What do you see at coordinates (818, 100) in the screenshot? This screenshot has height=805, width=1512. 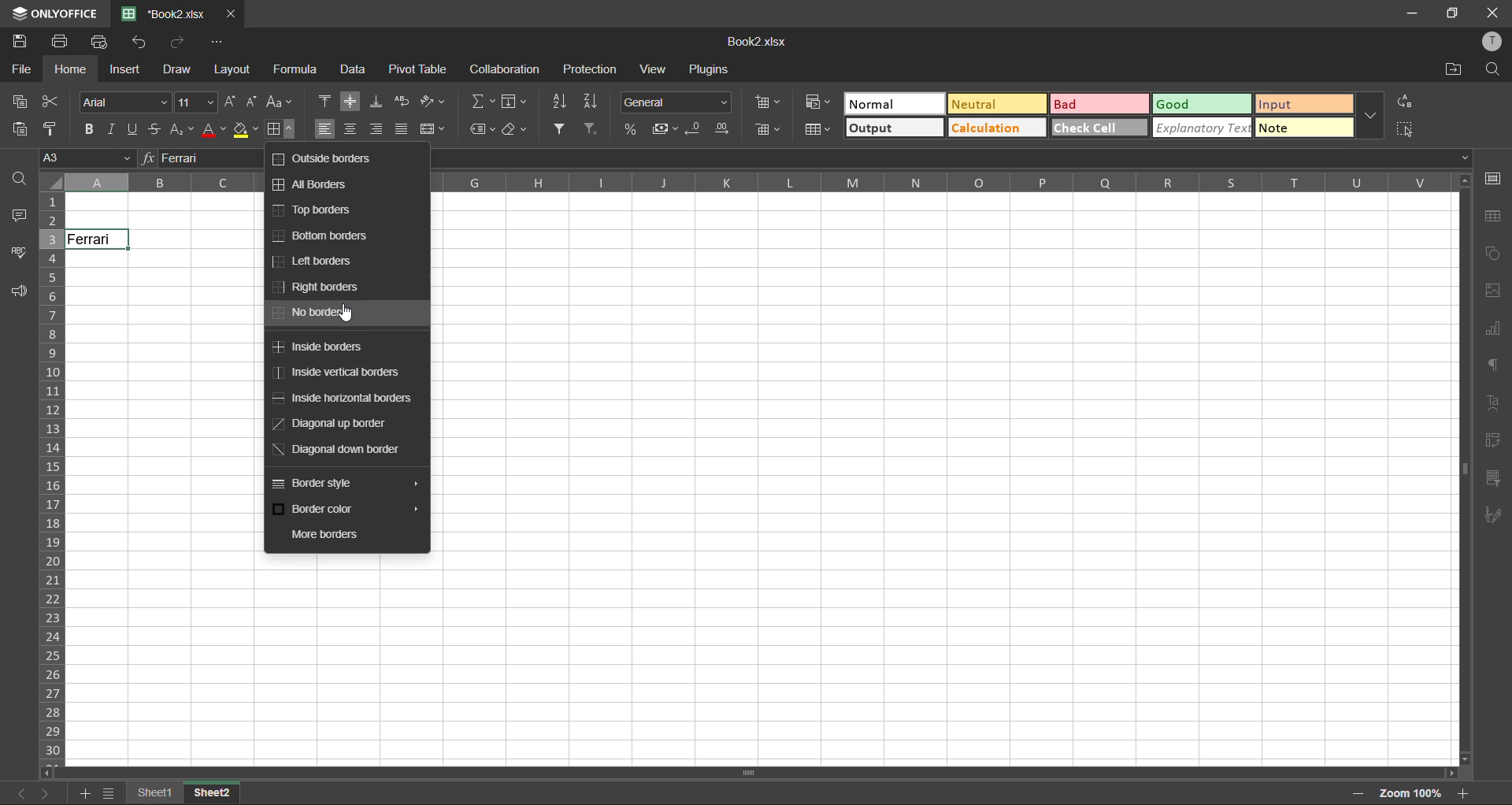 I see `conditional formatting` at bounding box center [818, 100].